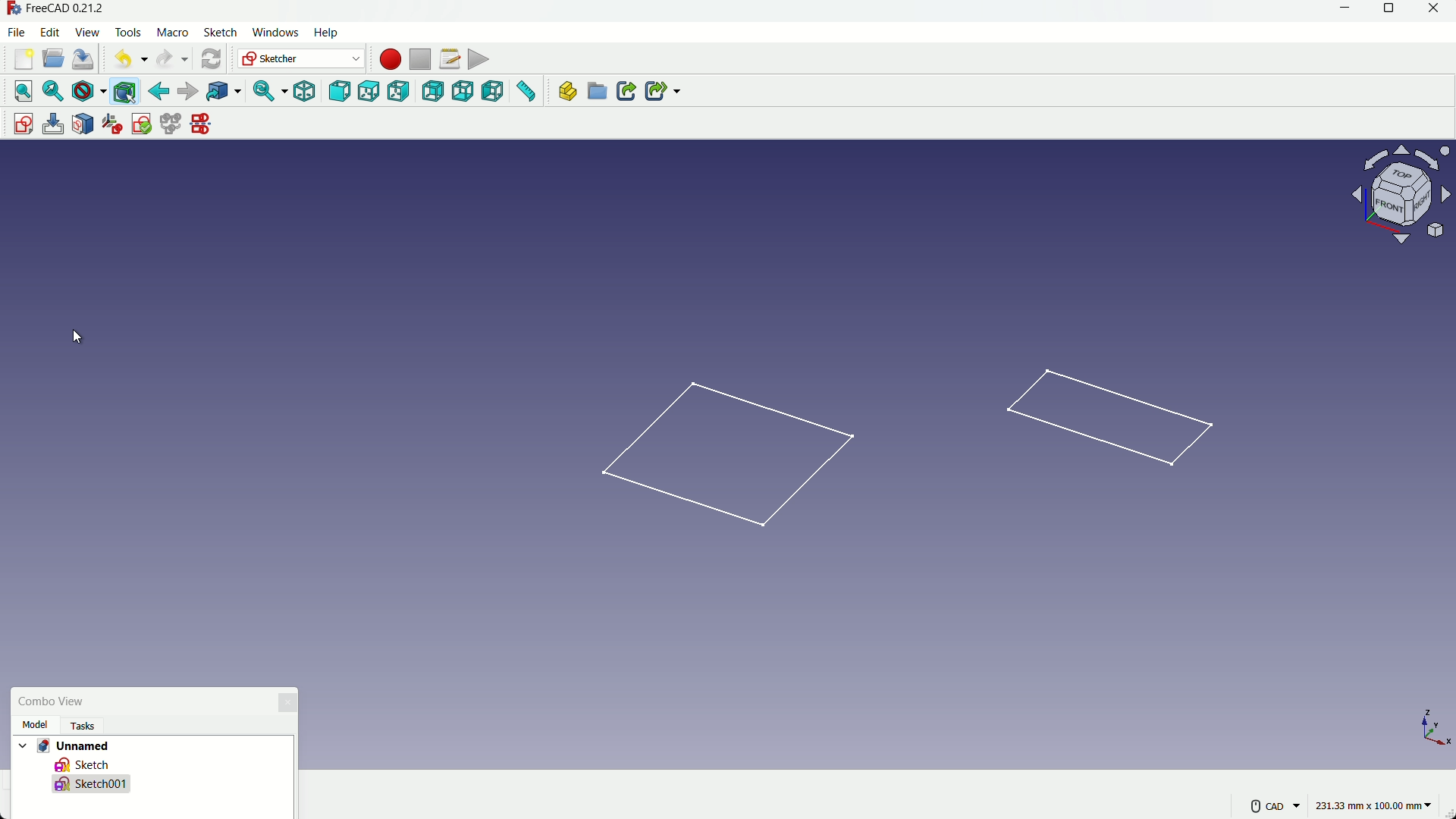 This screenshot has width=1456, height=819. I want to click on app name - FreeCAD 0.21.2, so click(57, 8).